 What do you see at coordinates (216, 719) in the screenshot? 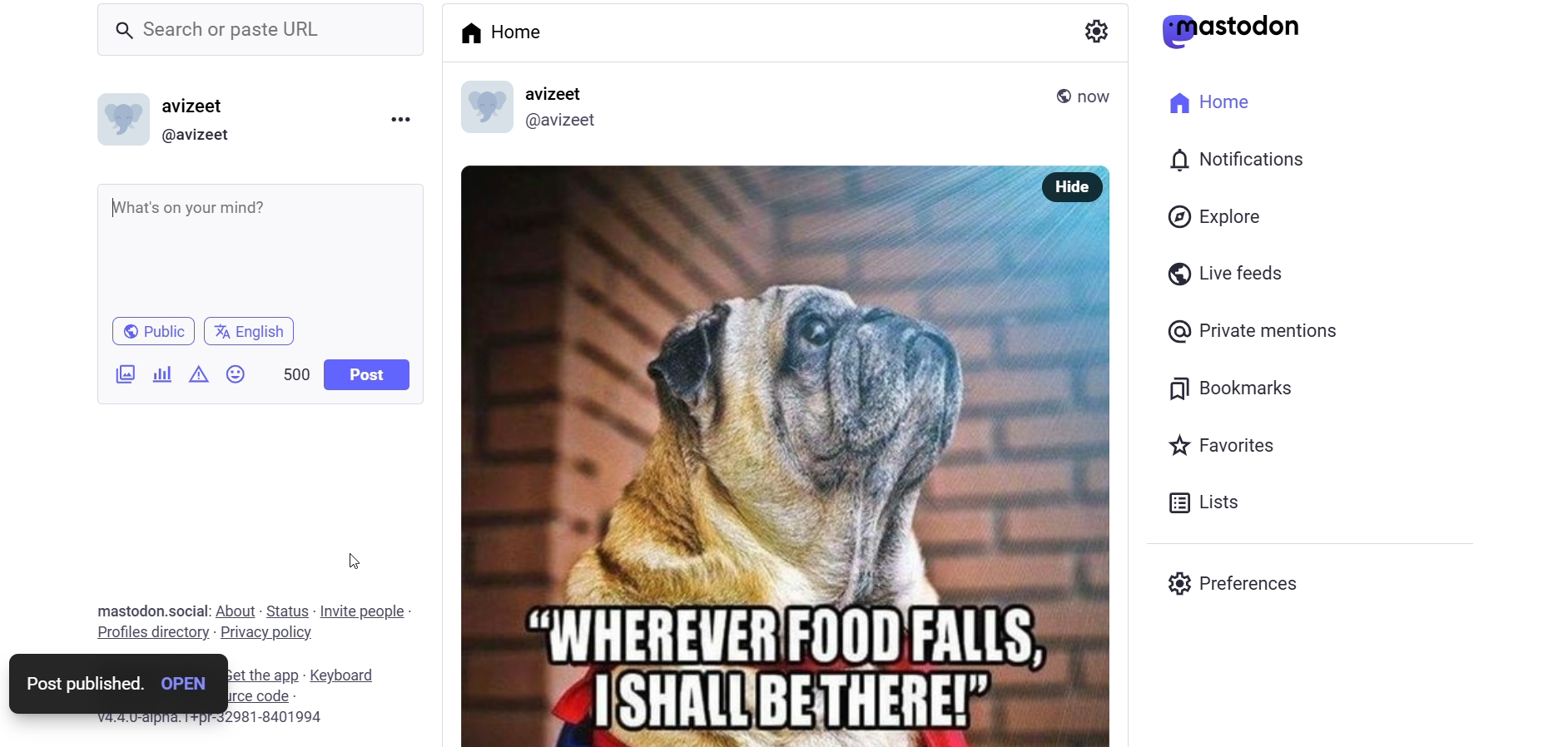
I see `version` at bounding box center [216, 719].